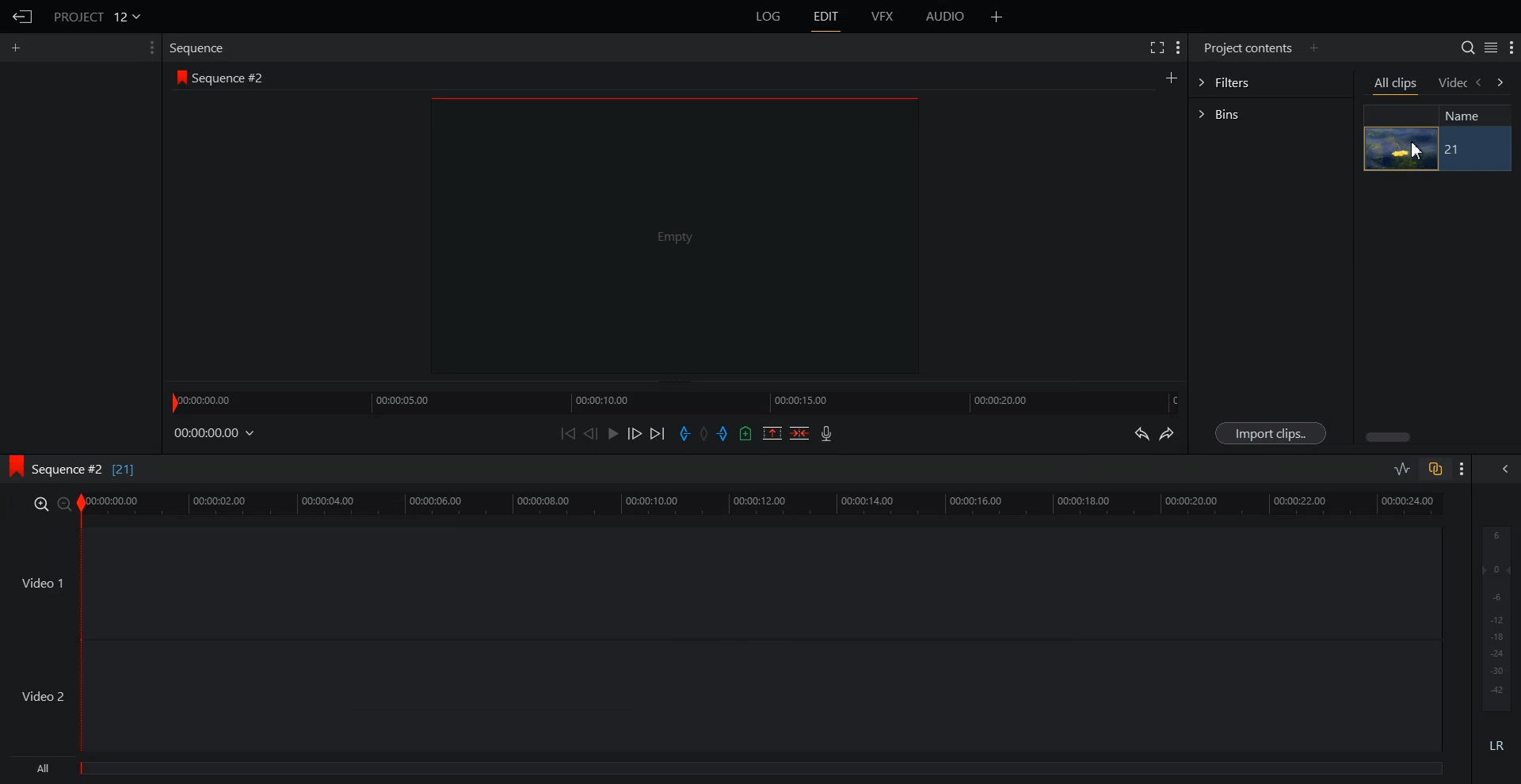 This screenshot has height=784, width=1521. Describe the element at coordinates (723, 698) in the screenshot. I see `Video 2` at that location.